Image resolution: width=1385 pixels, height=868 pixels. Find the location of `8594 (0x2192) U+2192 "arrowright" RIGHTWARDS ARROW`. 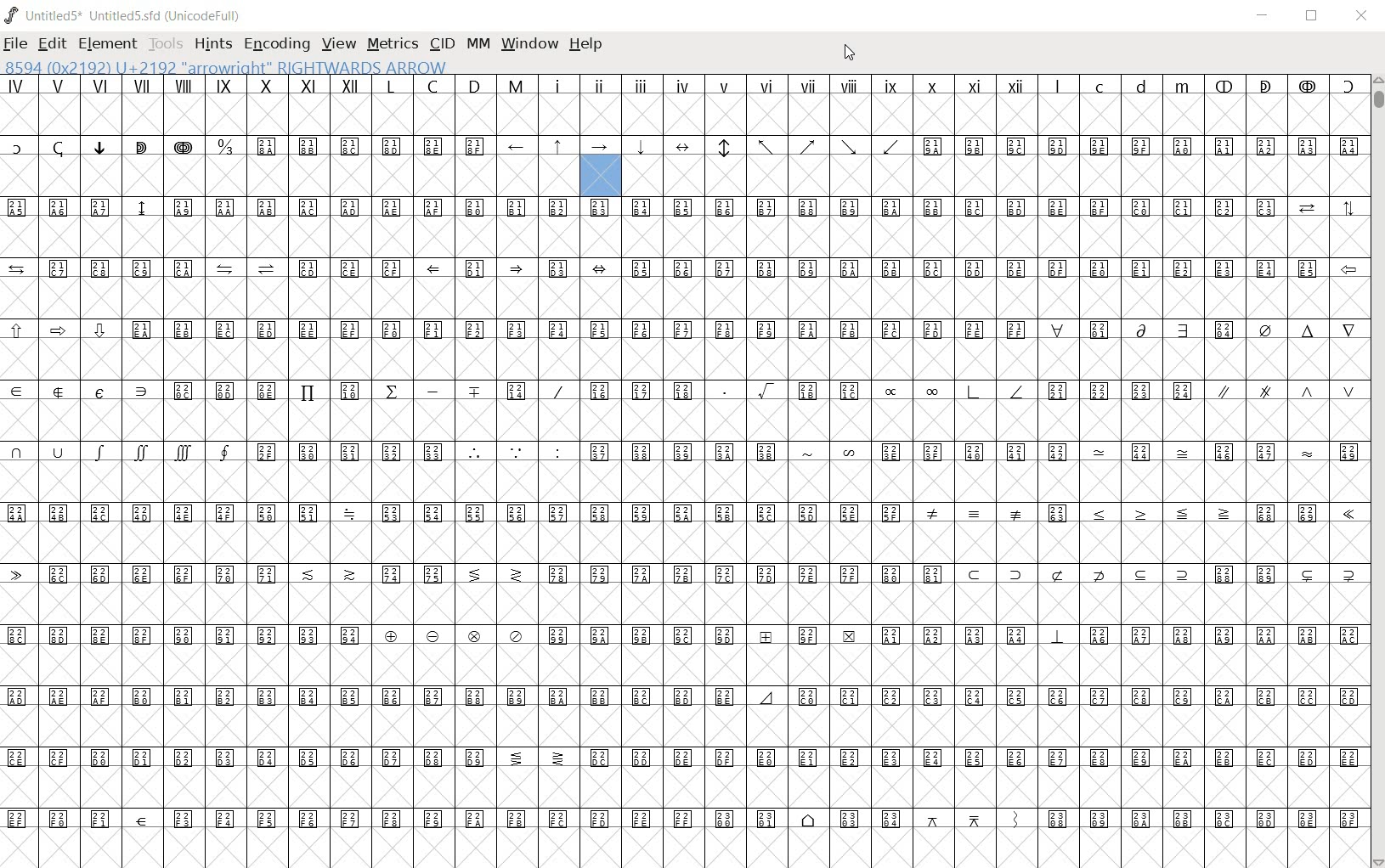

8594 (0x2192) U+2192 "arrowright" RIGHTWARDS ARROW is located at coordinates (226, 65).